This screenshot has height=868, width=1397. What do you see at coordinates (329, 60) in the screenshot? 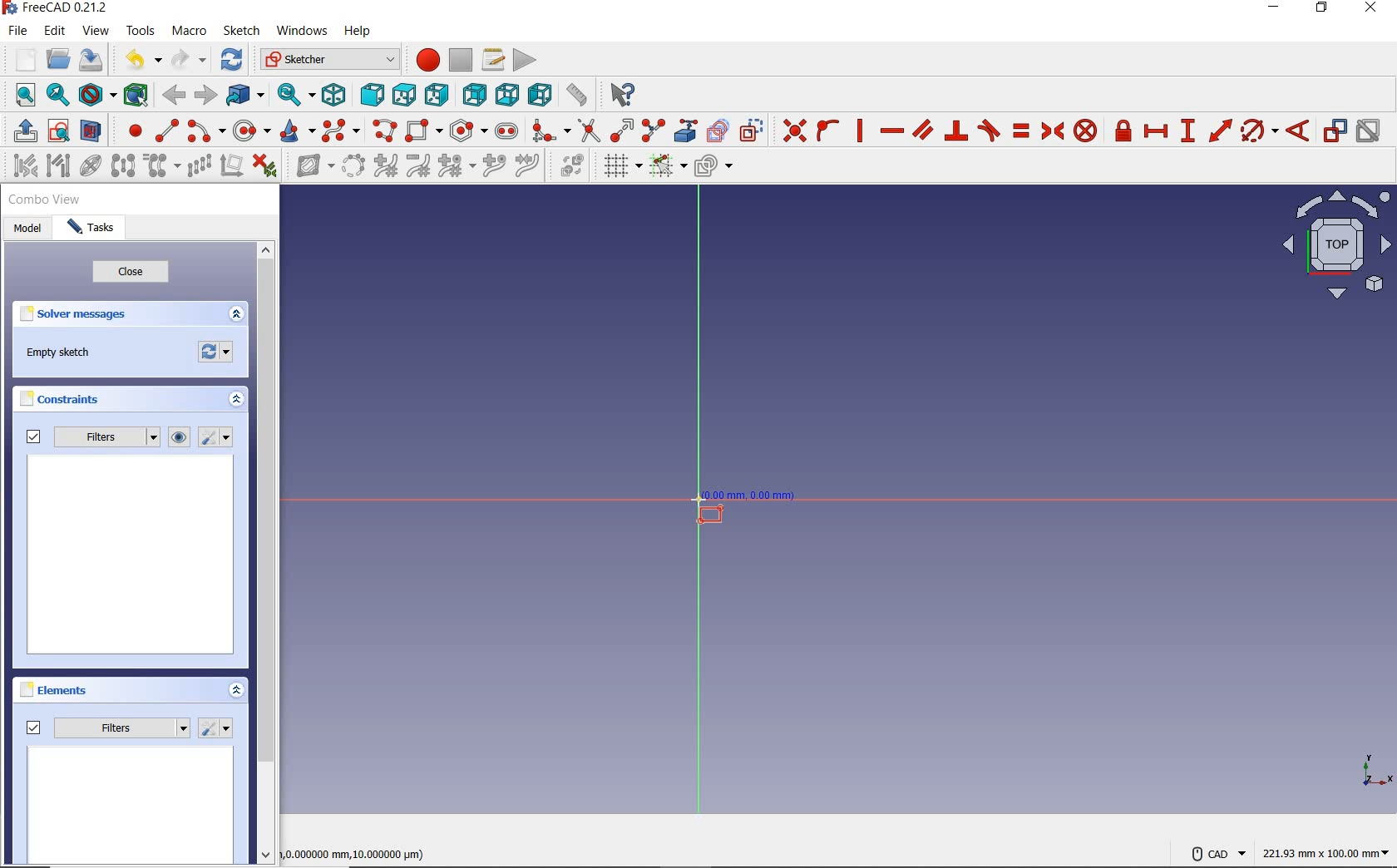
I see `switch between workbenches` at bounding box center [329, 60].